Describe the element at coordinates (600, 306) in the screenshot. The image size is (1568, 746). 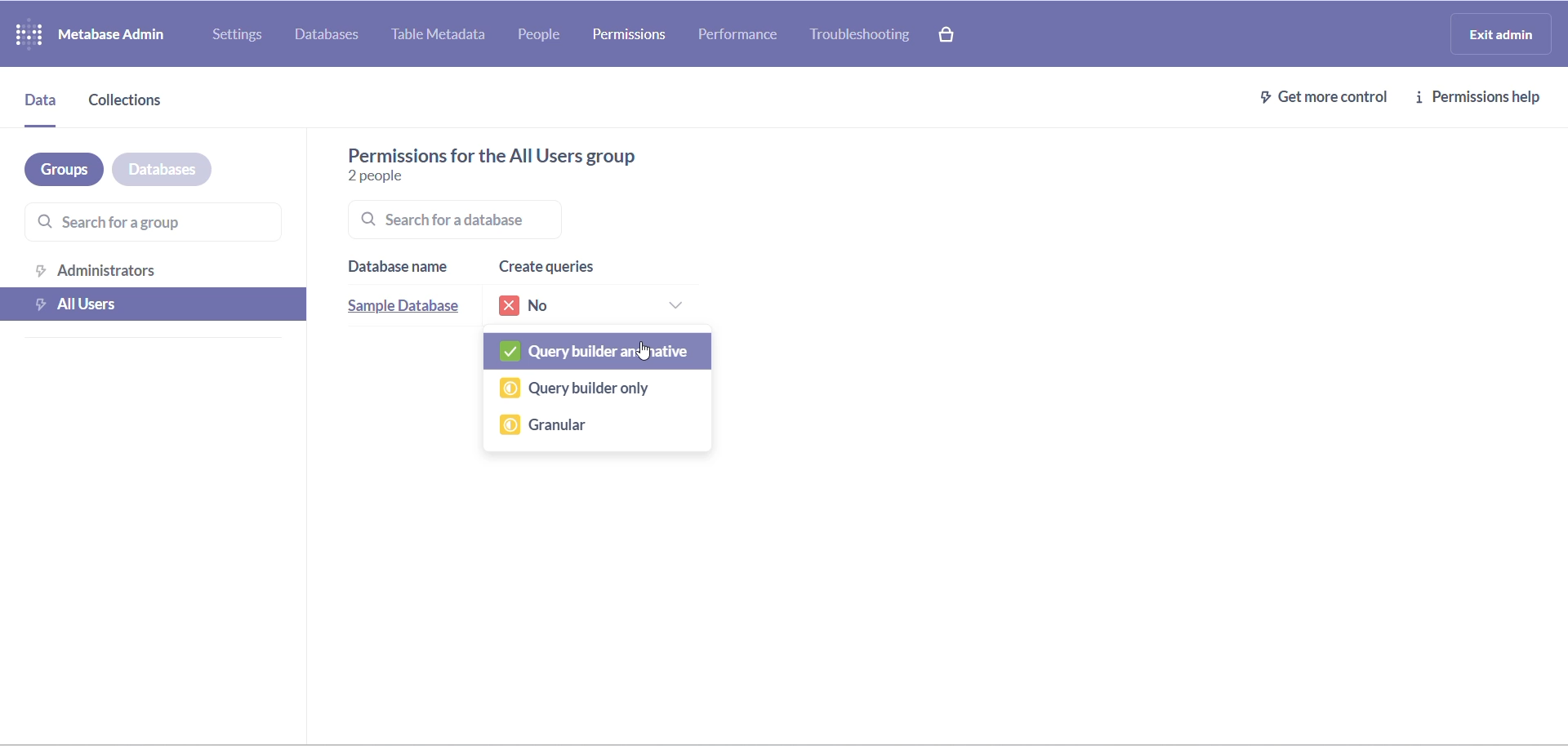
I see `permissions` at that location.